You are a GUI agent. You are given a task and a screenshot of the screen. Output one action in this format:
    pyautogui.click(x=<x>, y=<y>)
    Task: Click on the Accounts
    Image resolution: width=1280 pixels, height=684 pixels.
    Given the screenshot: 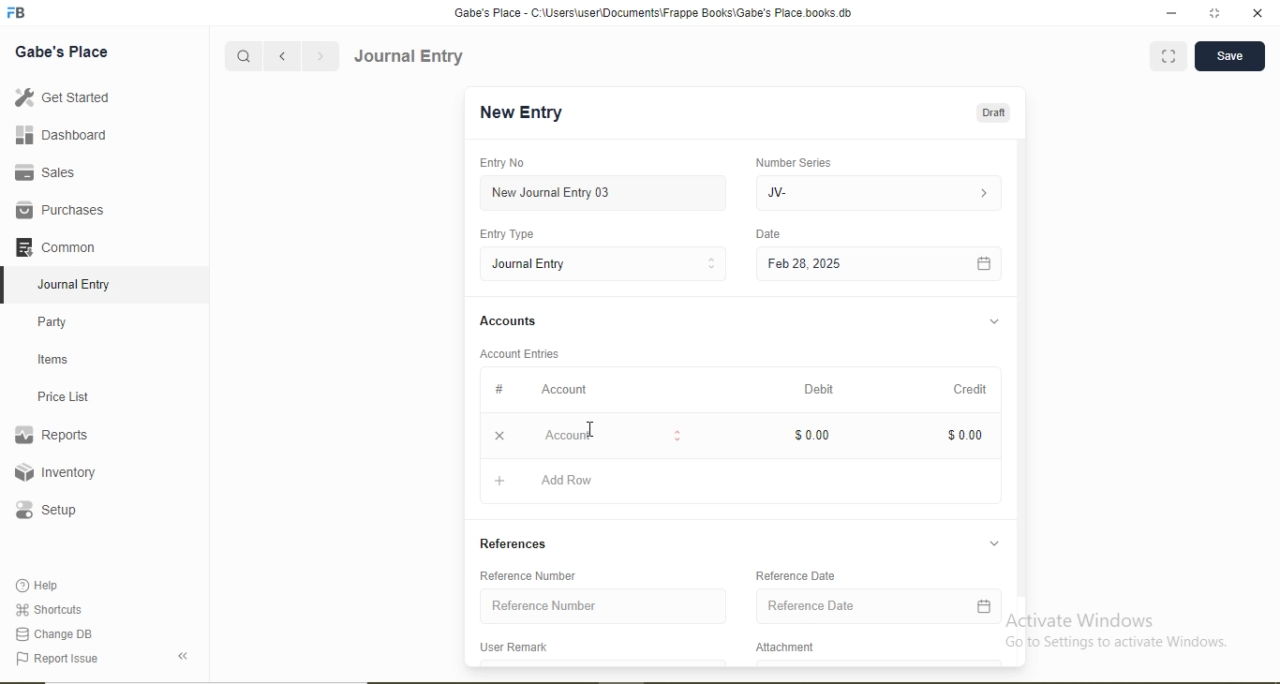 What is the action you would take?
    pyautogui.click(x=508, y=320)
    